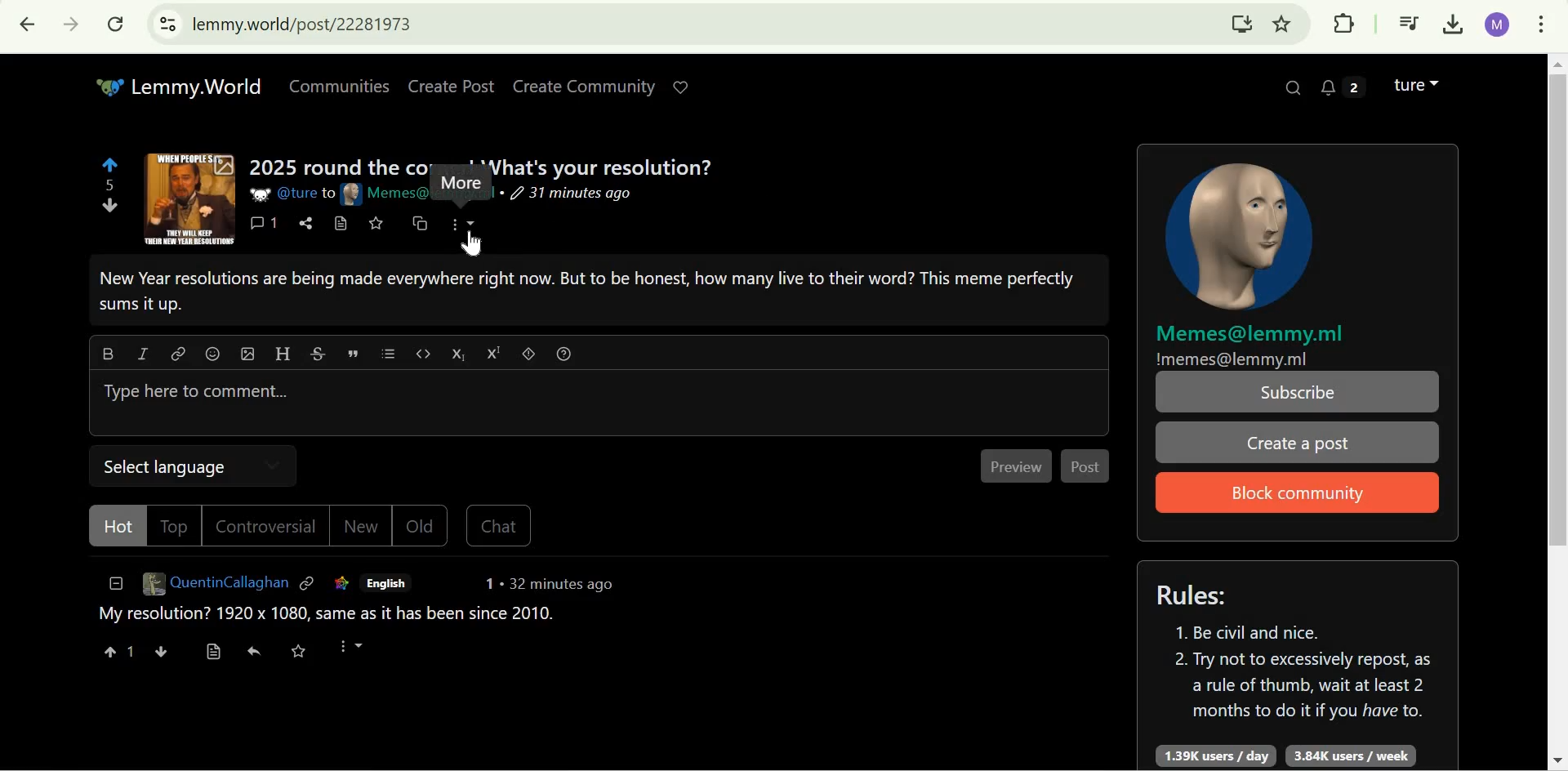  I want to click on 1.39K users/day, so click(1217, 756).